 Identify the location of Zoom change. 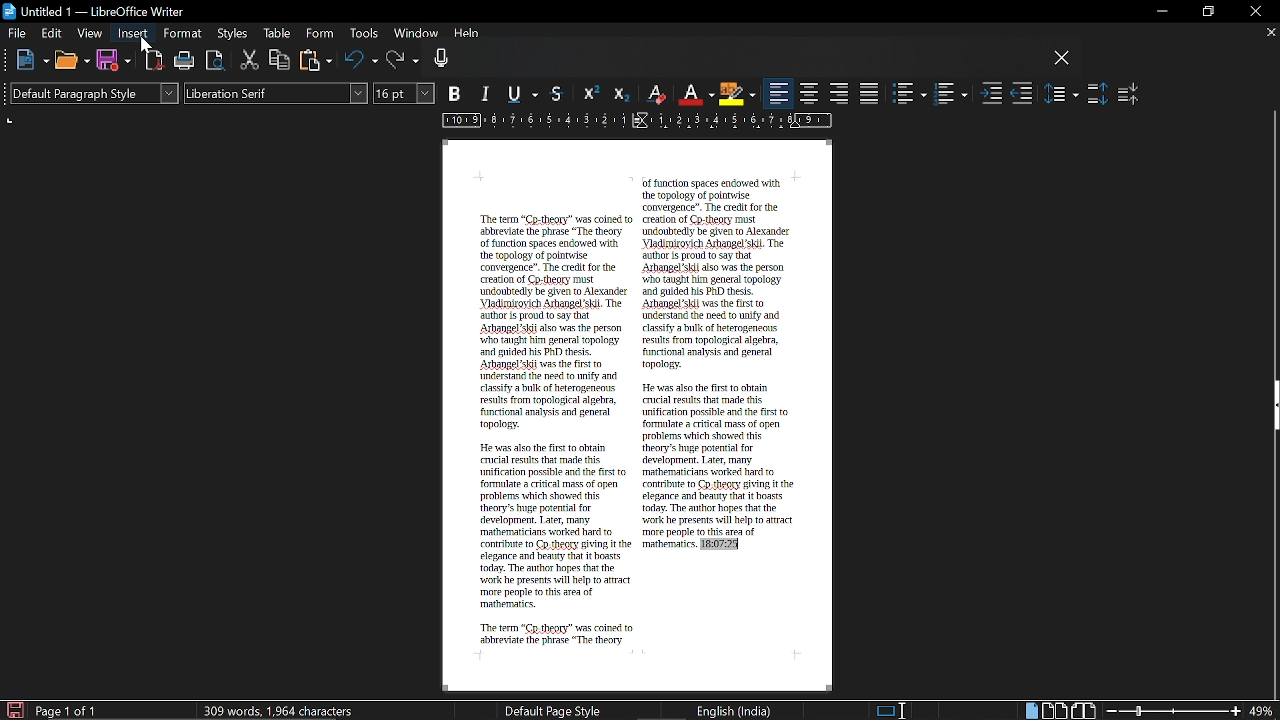
(1174, 711).